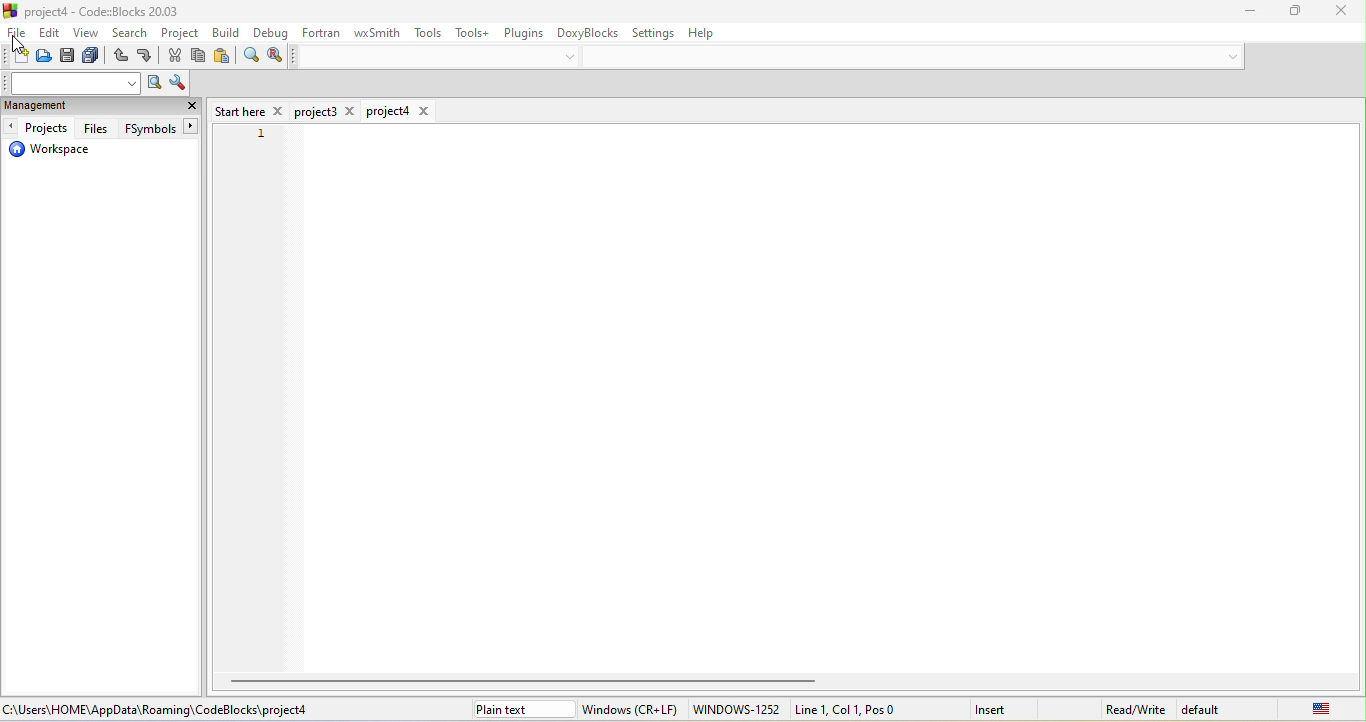 The height and width of the screenshot is (722, 1366). I want to click on save everything, so click(94, 58).